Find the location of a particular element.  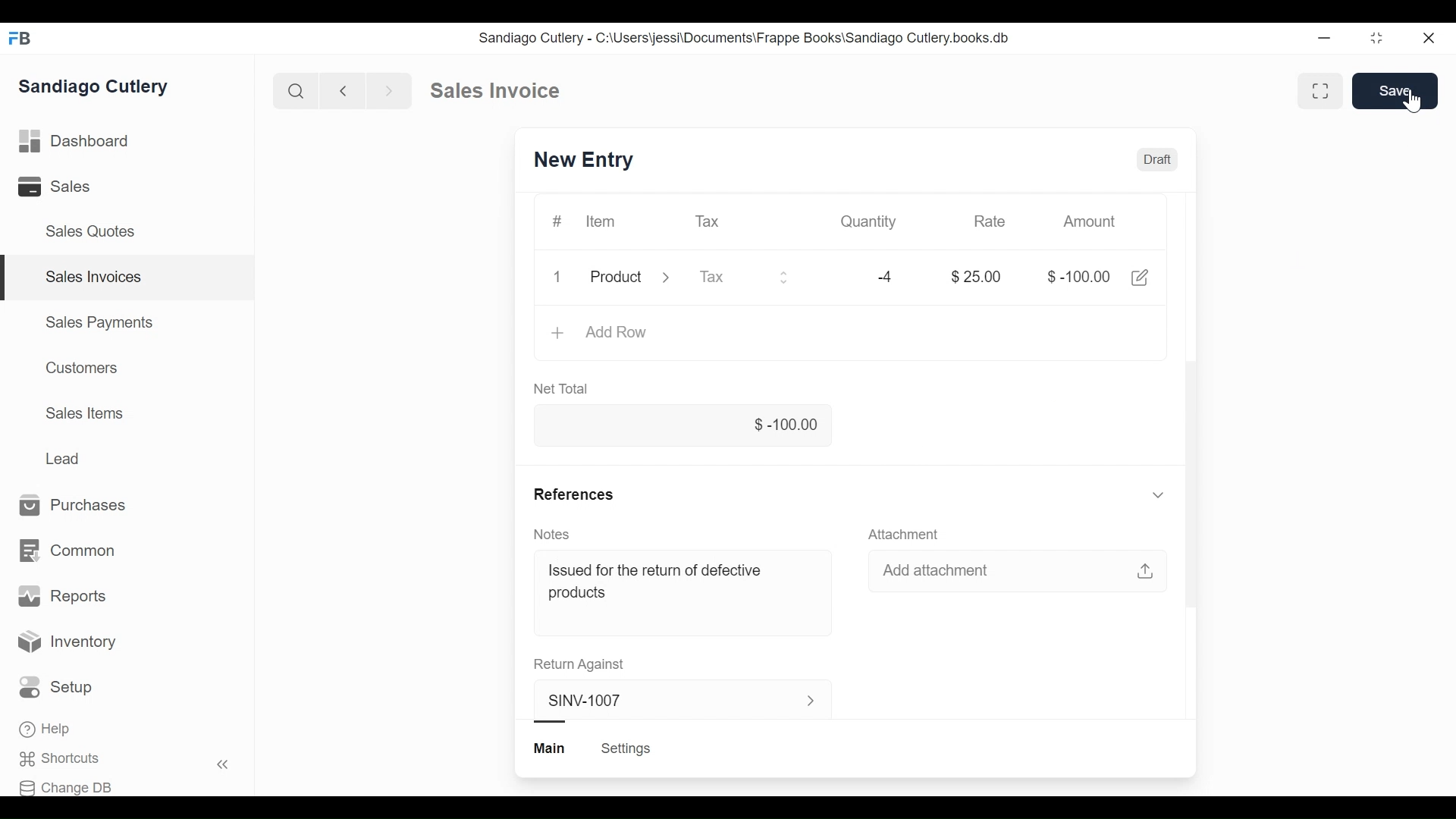

Purchases is located at coordinates (73, 504).